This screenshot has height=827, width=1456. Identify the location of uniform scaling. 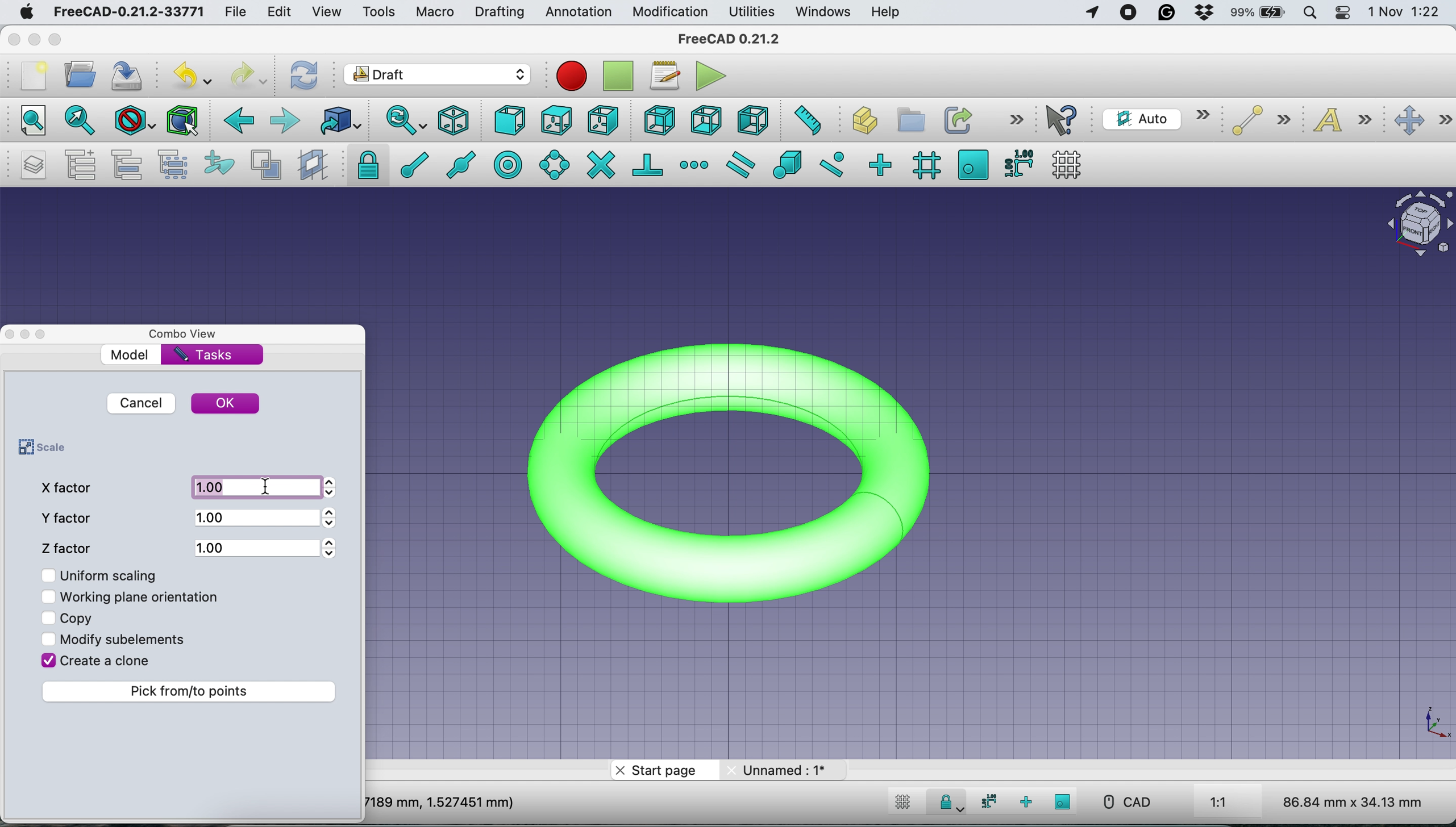
(113, 575).